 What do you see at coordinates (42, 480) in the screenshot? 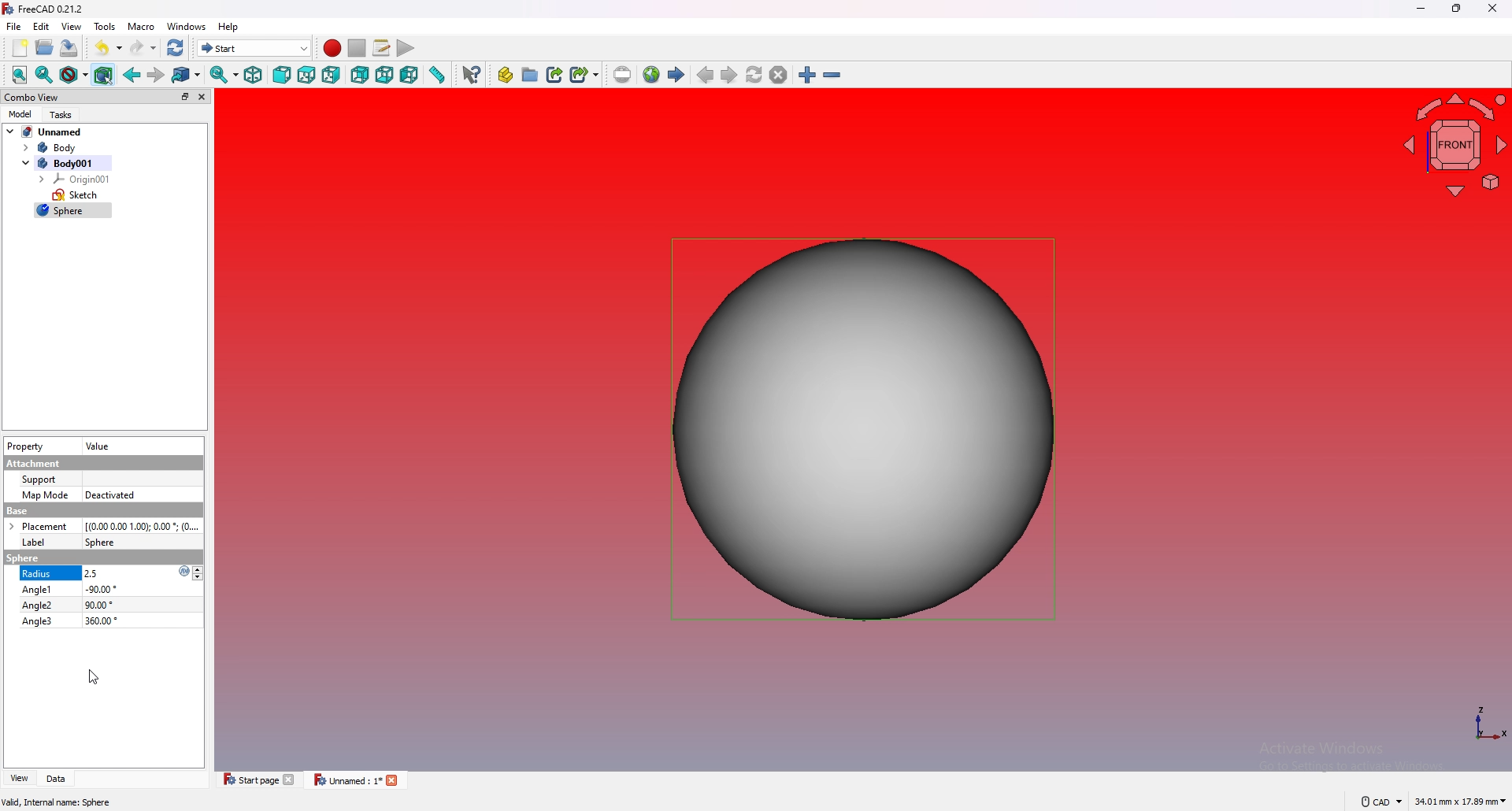
I see `support` at bounding box center [42, 480].